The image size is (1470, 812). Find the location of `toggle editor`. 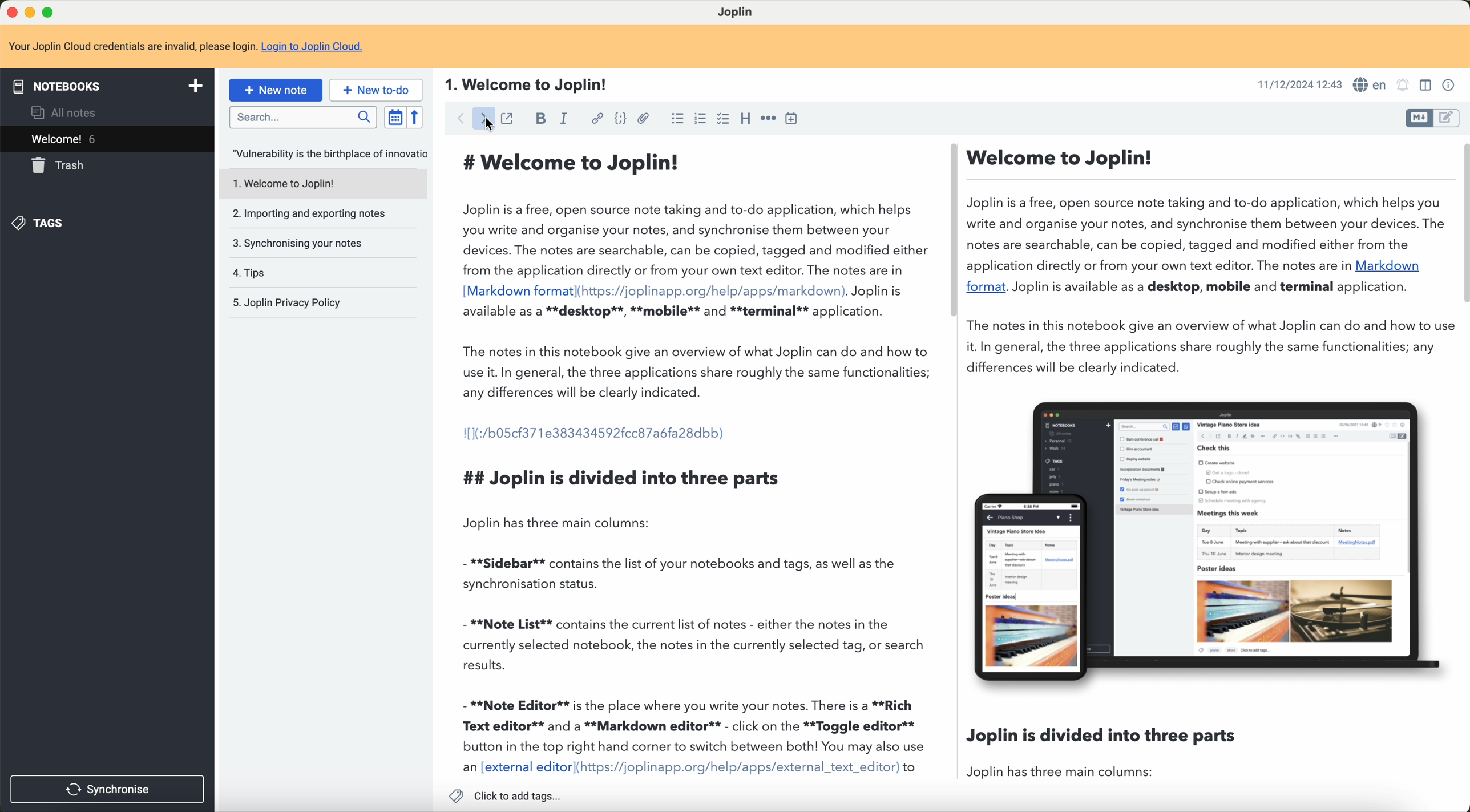

toggle editor is located at coordinates (1451, 118).